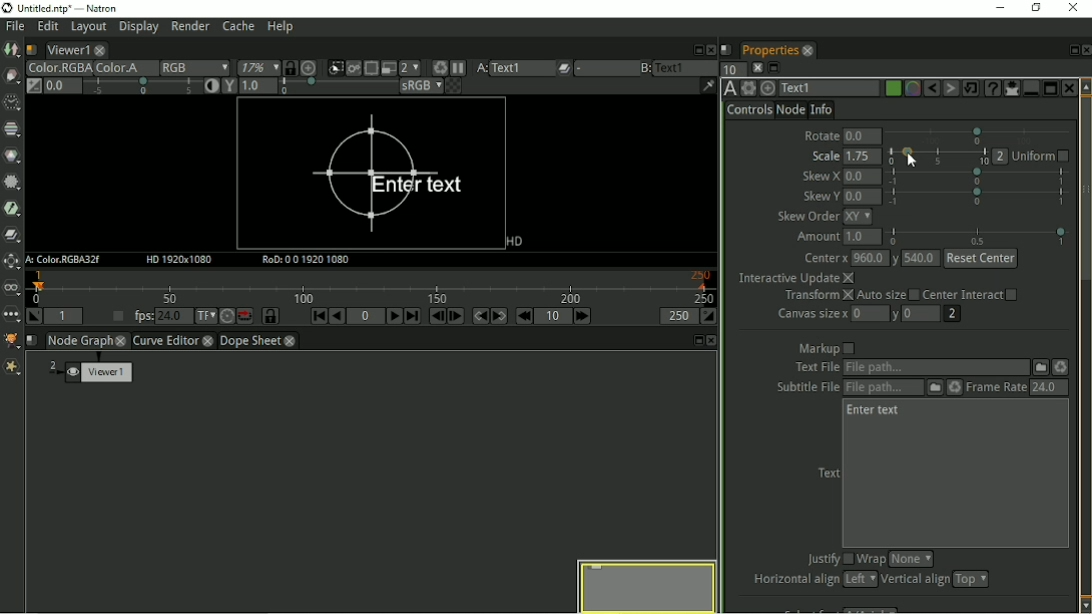 The image size is (1092, 614). I want to click on Synchronize, so click(289, 67).